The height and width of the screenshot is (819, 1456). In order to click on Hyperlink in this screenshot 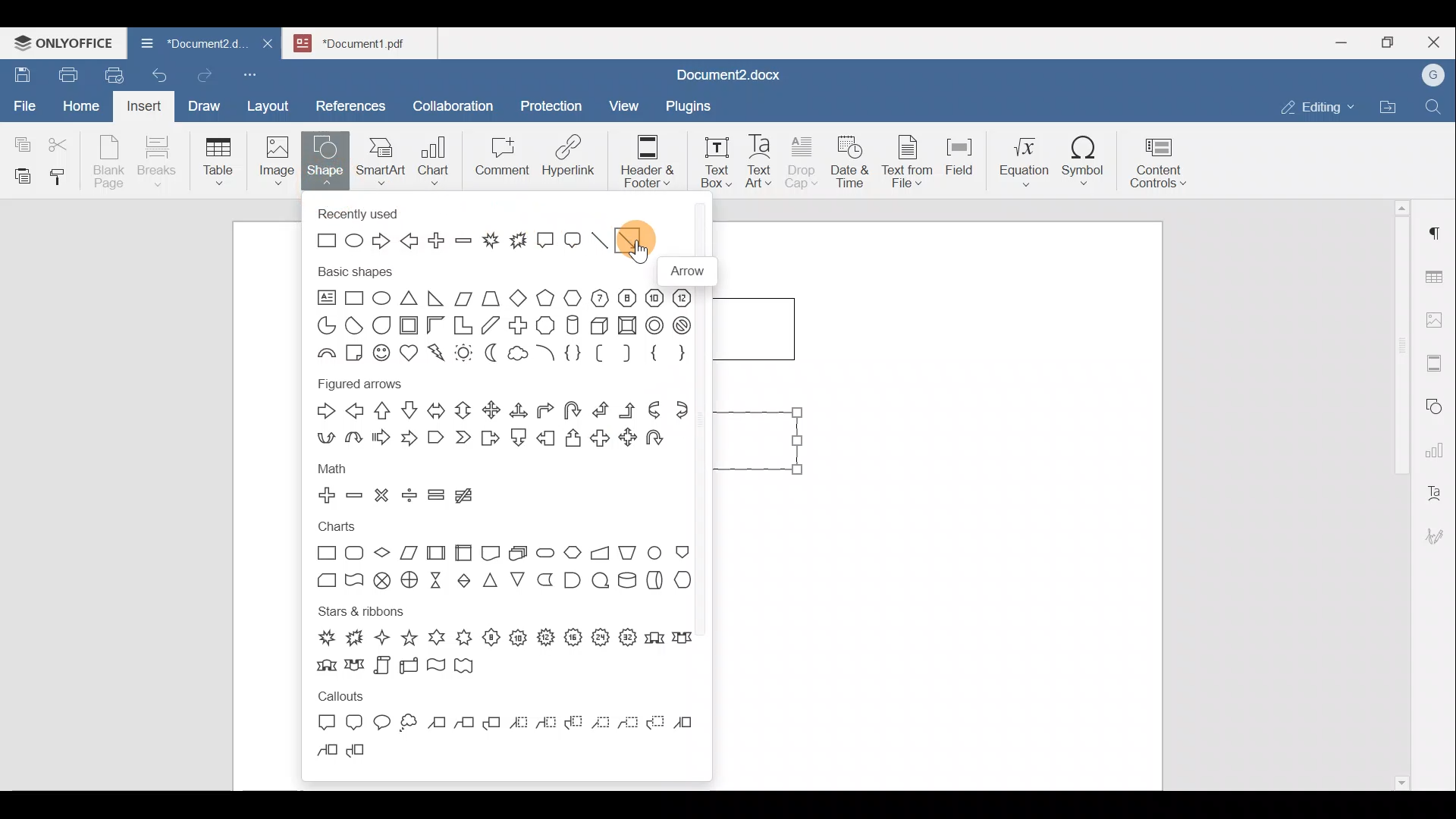, I will do `click(573, 160)`.